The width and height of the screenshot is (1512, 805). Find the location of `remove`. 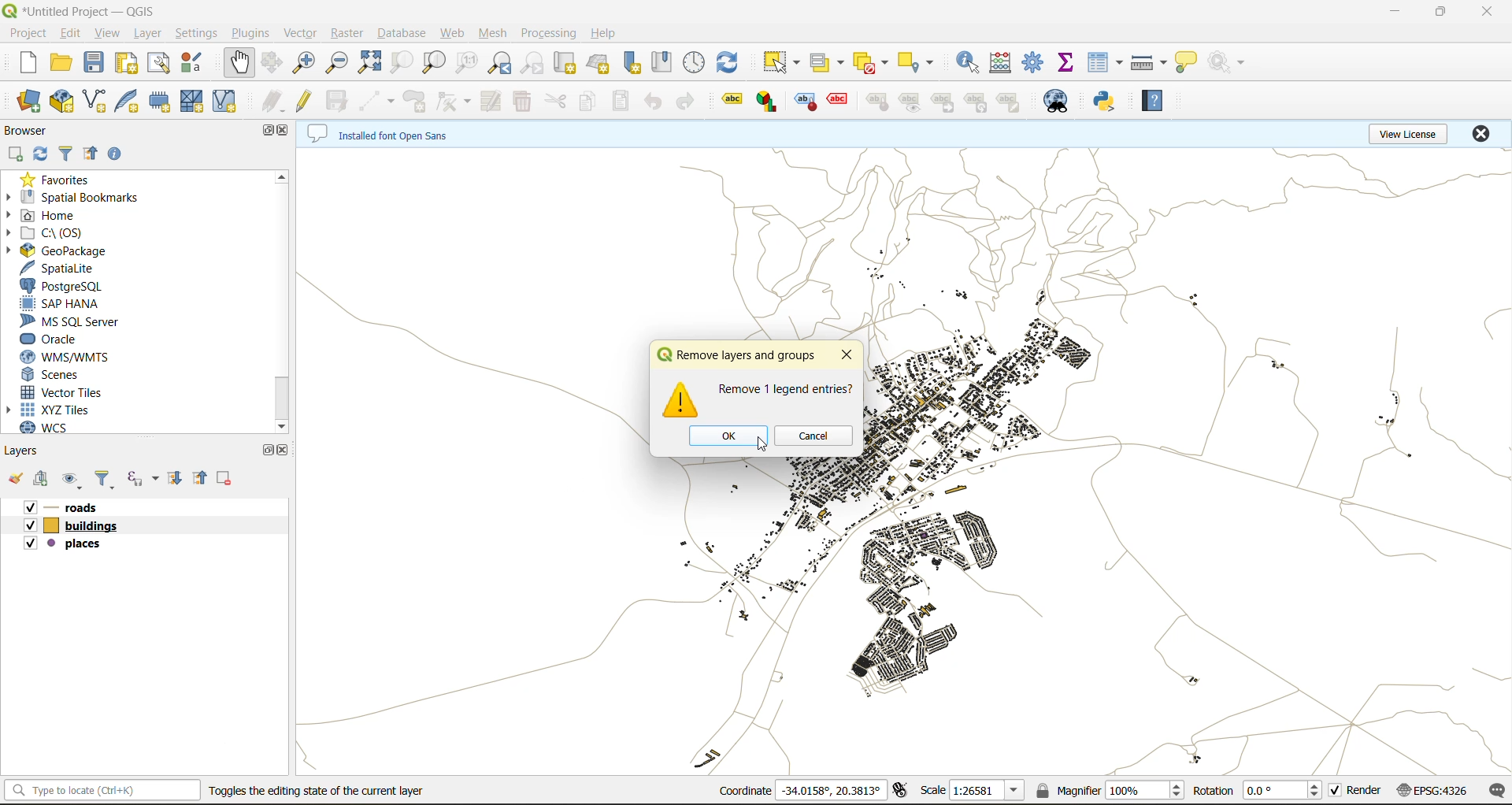

remove is located at coordinates (224, 479).